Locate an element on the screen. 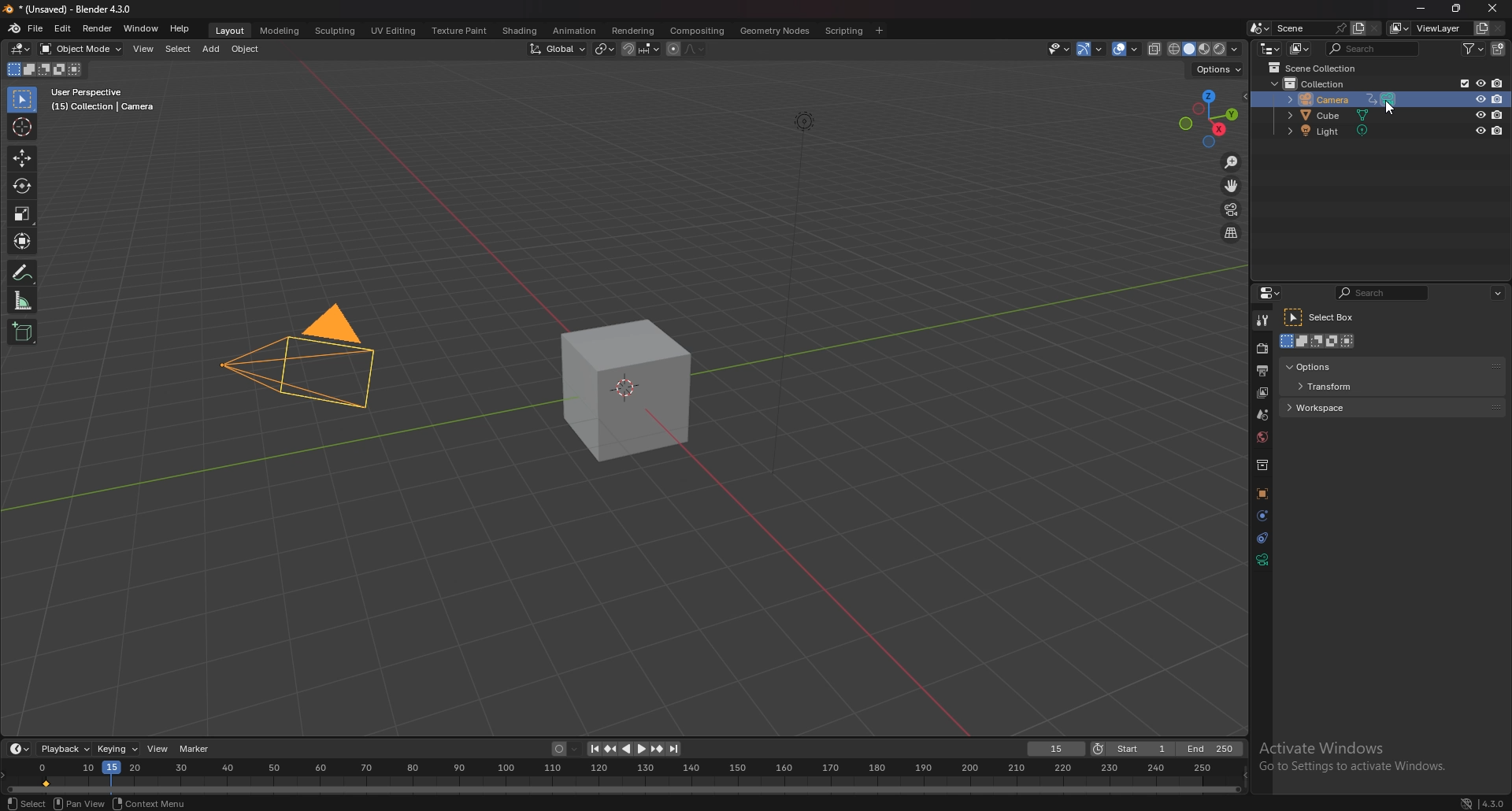 The width and height of the screenshot is (1512, 811). jump to keyframe is located at coordinates (610, 749).